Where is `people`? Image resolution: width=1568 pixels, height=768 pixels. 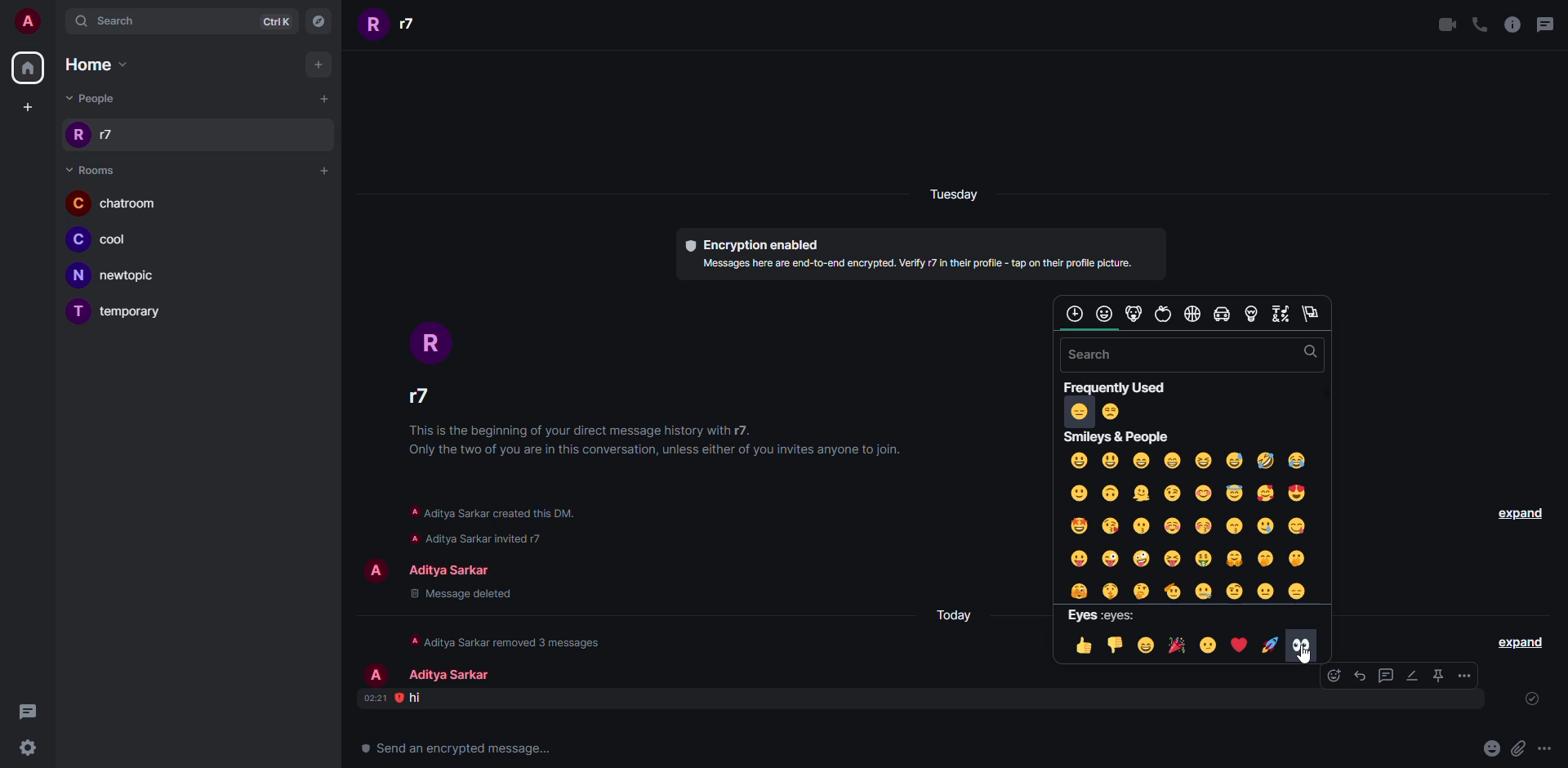 people is located at coordinates (457, 572).